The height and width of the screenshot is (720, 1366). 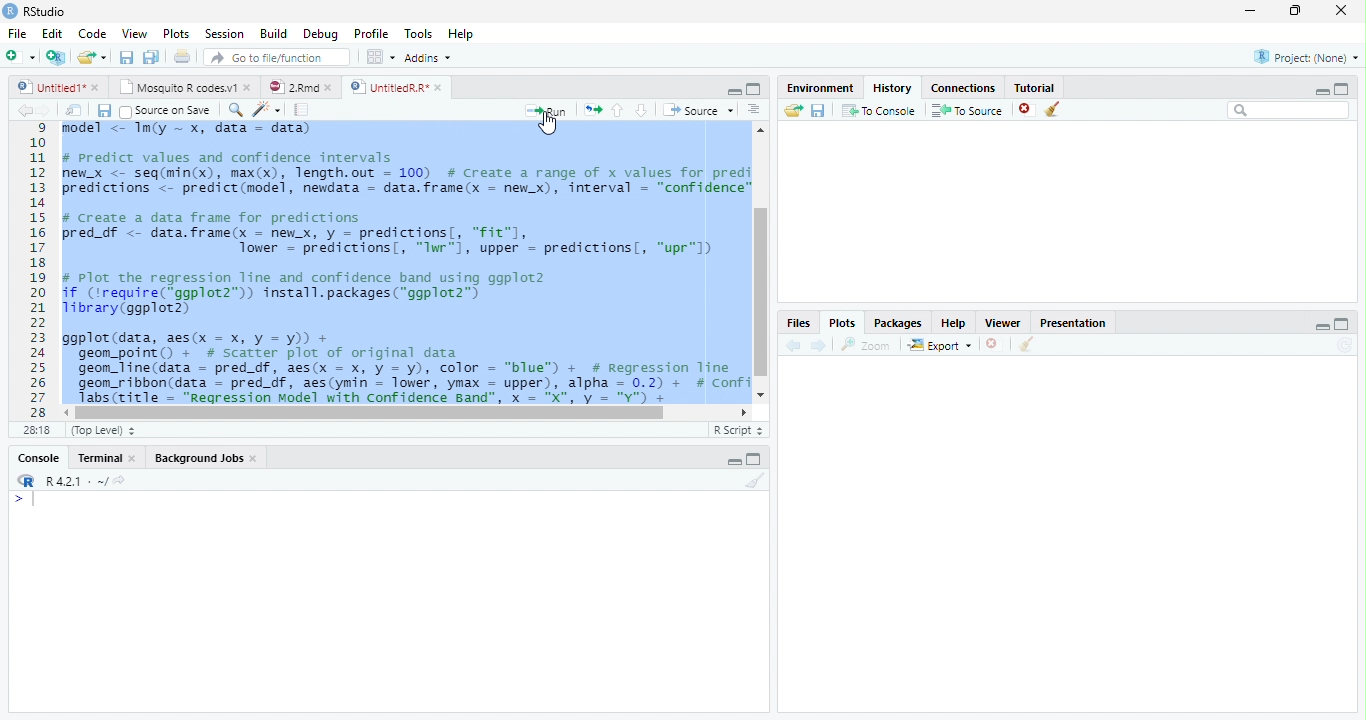 What do you see at coordinates (1291, 110) in the screenshot?
I see `Search` at bounding box center [1291, 110].